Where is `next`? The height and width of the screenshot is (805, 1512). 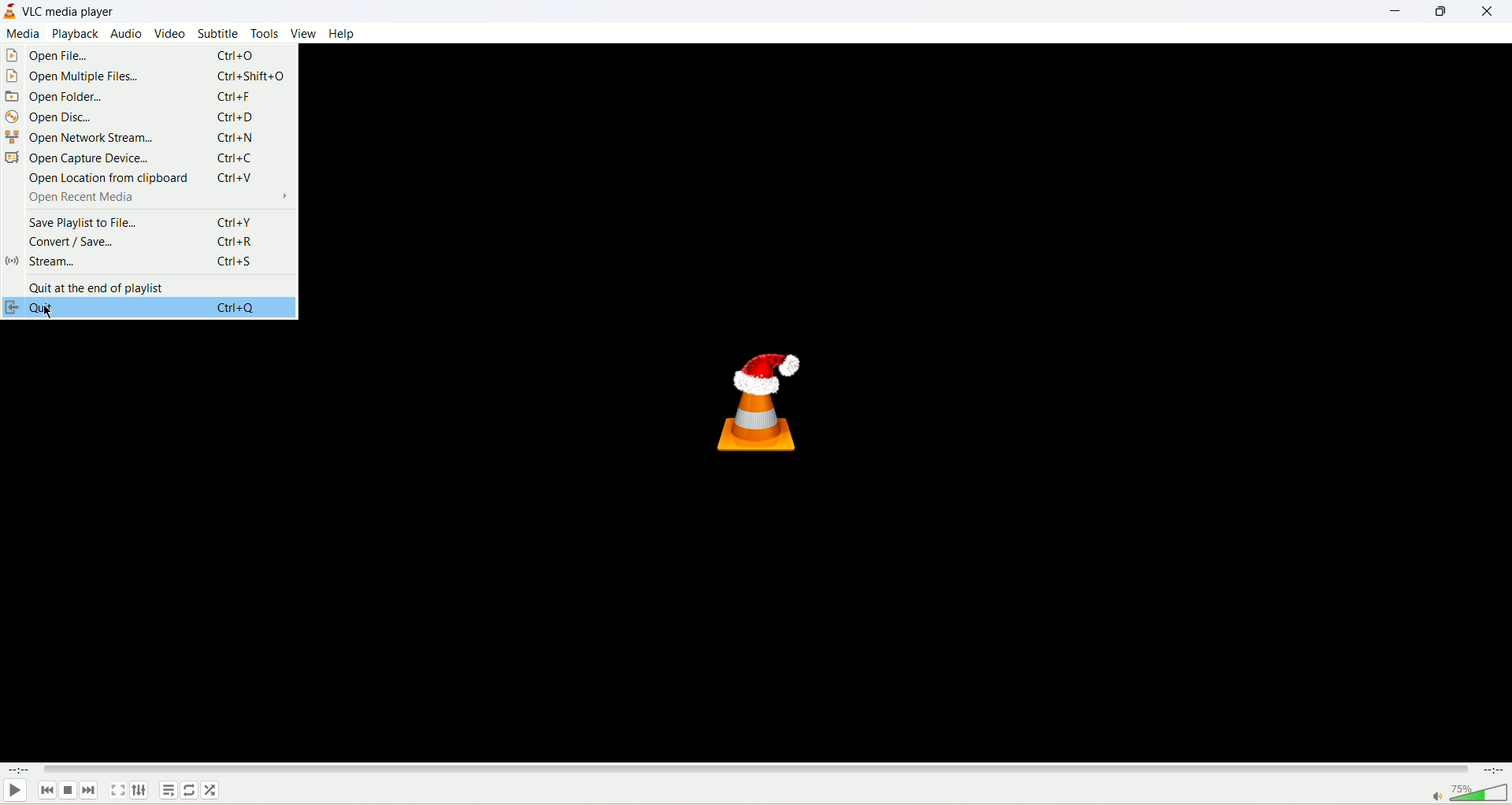
next is located at coordinates (90, 791).